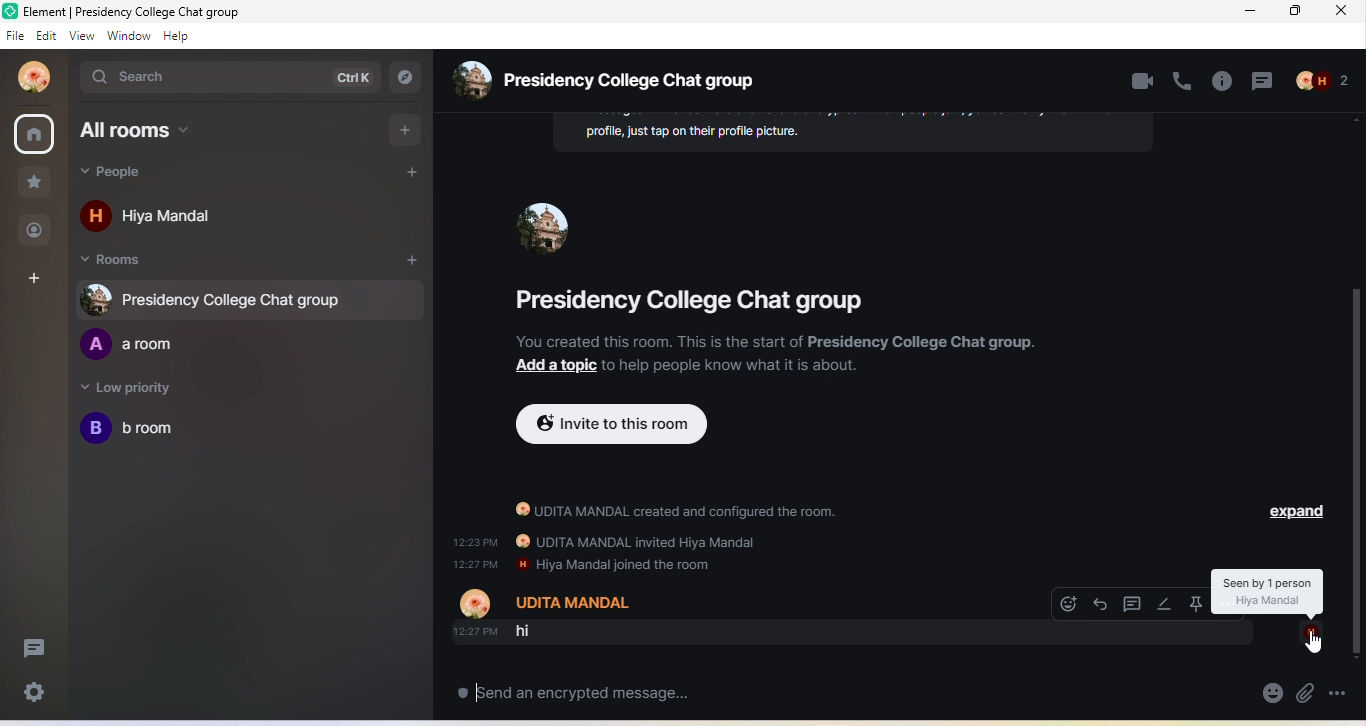  I want to click on explore, so click(407, 76).